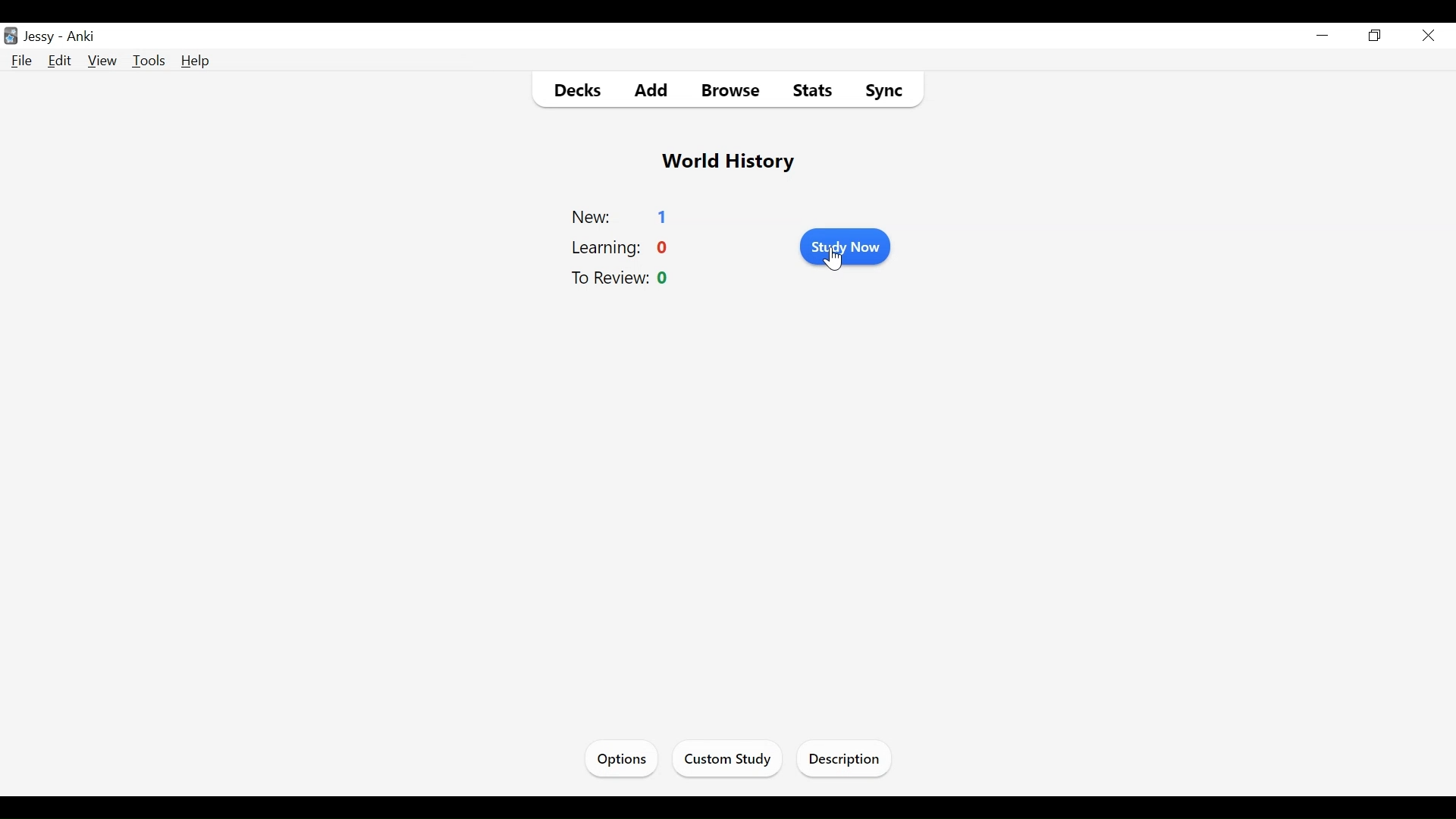 Image resolution: width=1456 pixels, height=819 pixels. I want to click on Edit, so click(60, 61).